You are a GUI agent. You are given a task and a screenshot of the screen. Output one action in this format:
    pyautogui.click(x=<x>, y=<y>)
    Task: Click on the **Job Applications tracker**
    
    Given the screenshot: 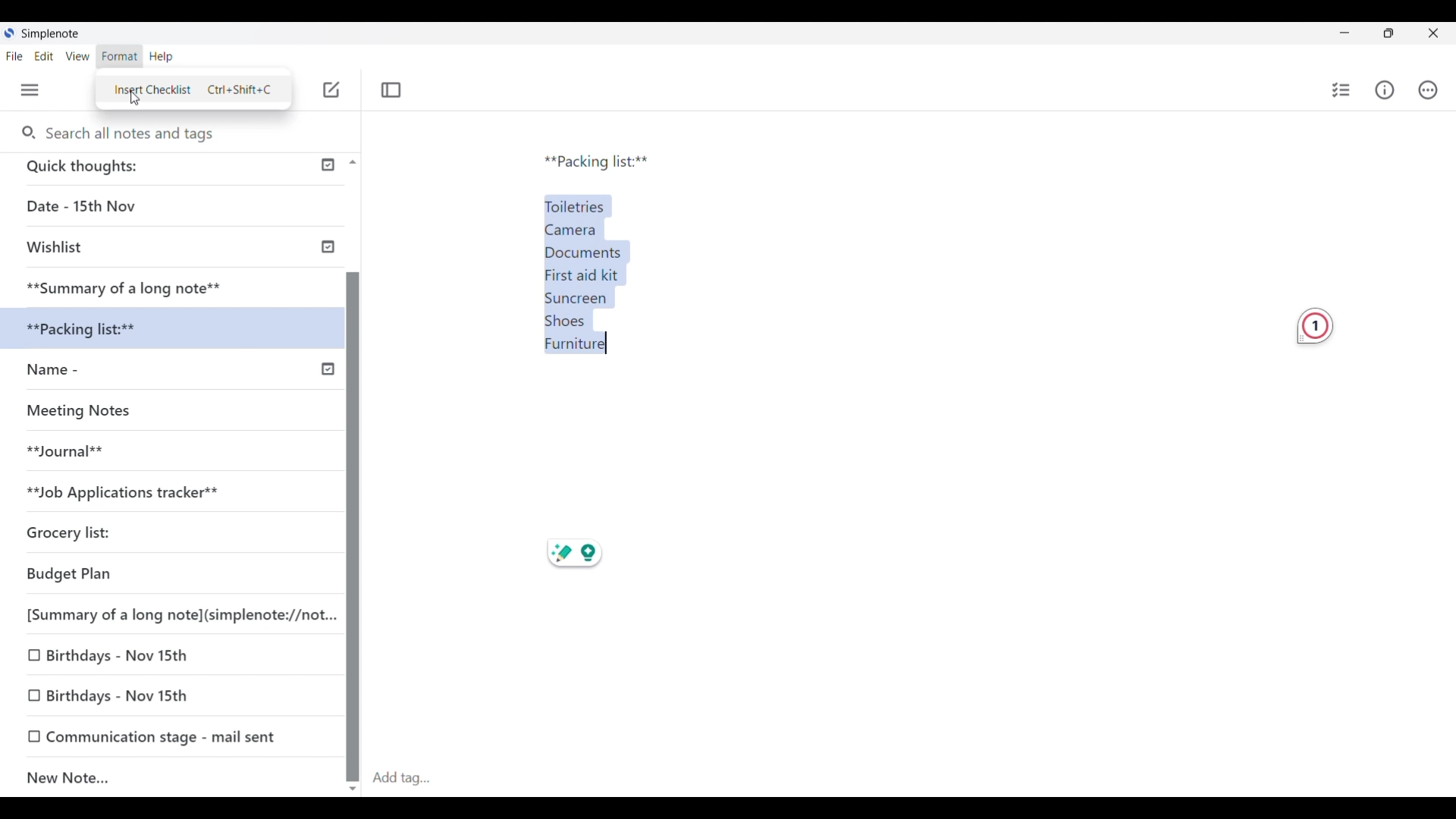 What is the action you would take?
    pyautogui.click(x=156, y=492)
    